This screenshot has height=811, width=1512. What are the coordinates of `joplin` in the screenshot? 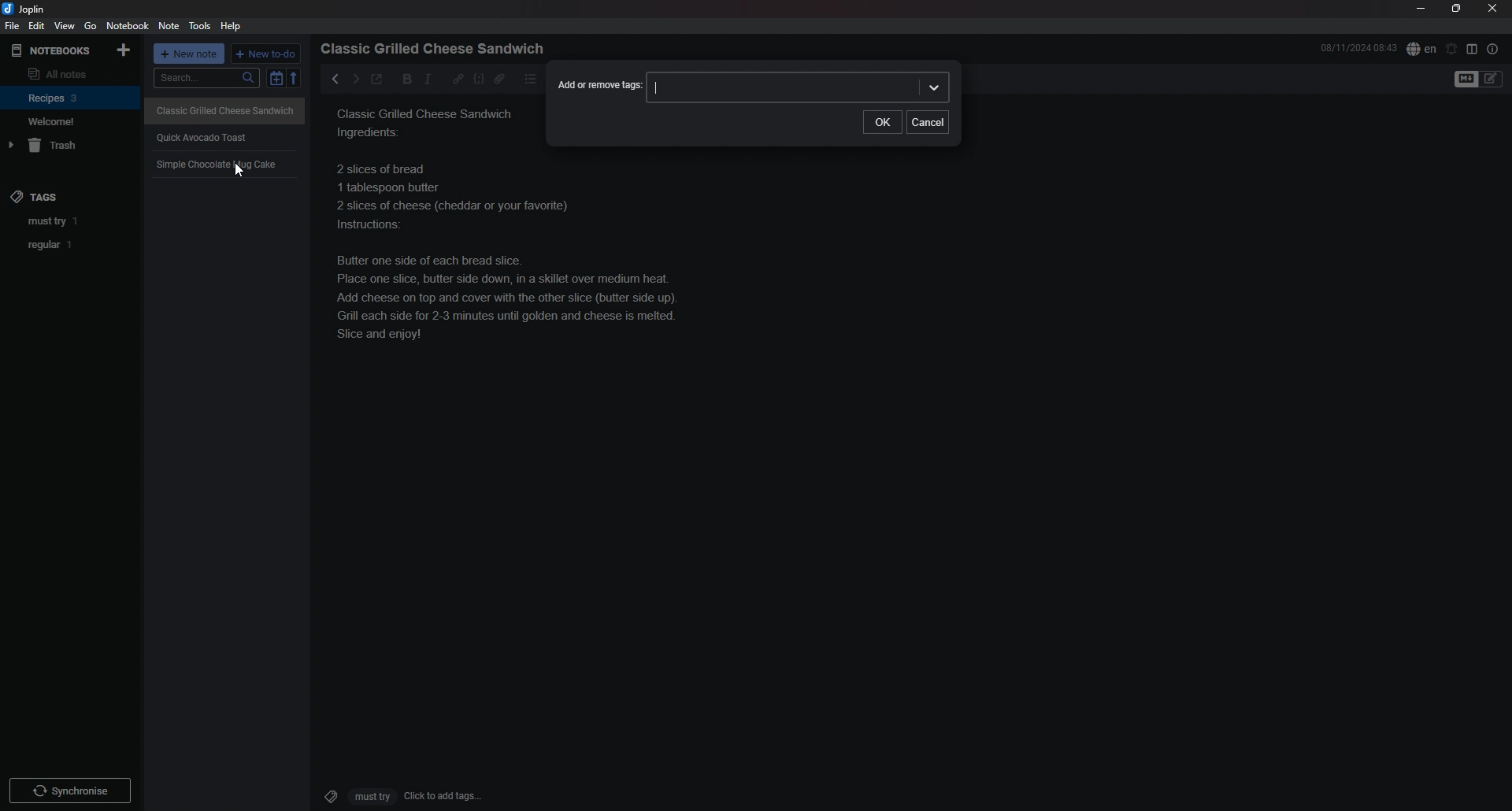 It's located at (26, 9).